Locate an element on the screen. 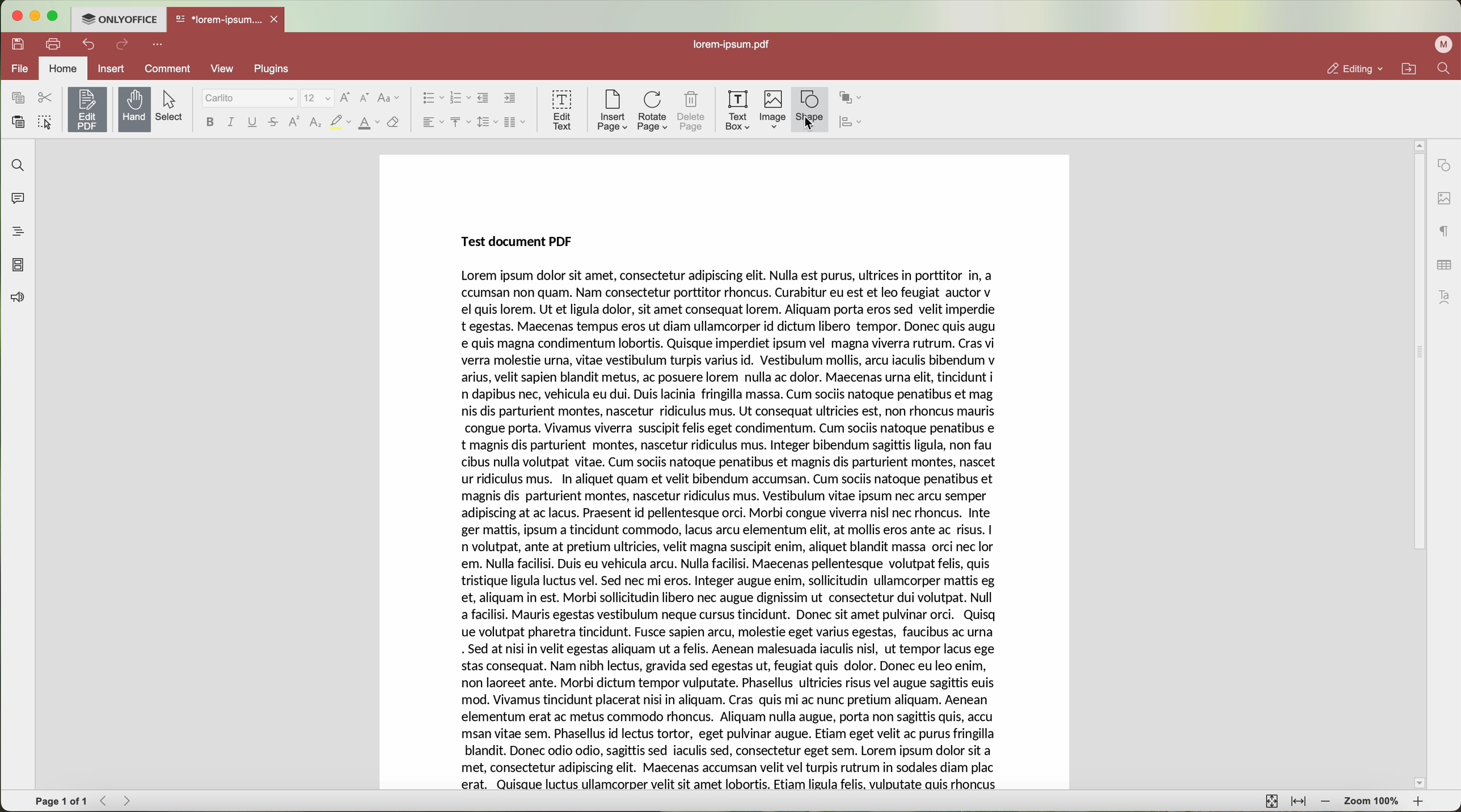  lorem-ipsum.pdf is located at coordinates (737, 45).